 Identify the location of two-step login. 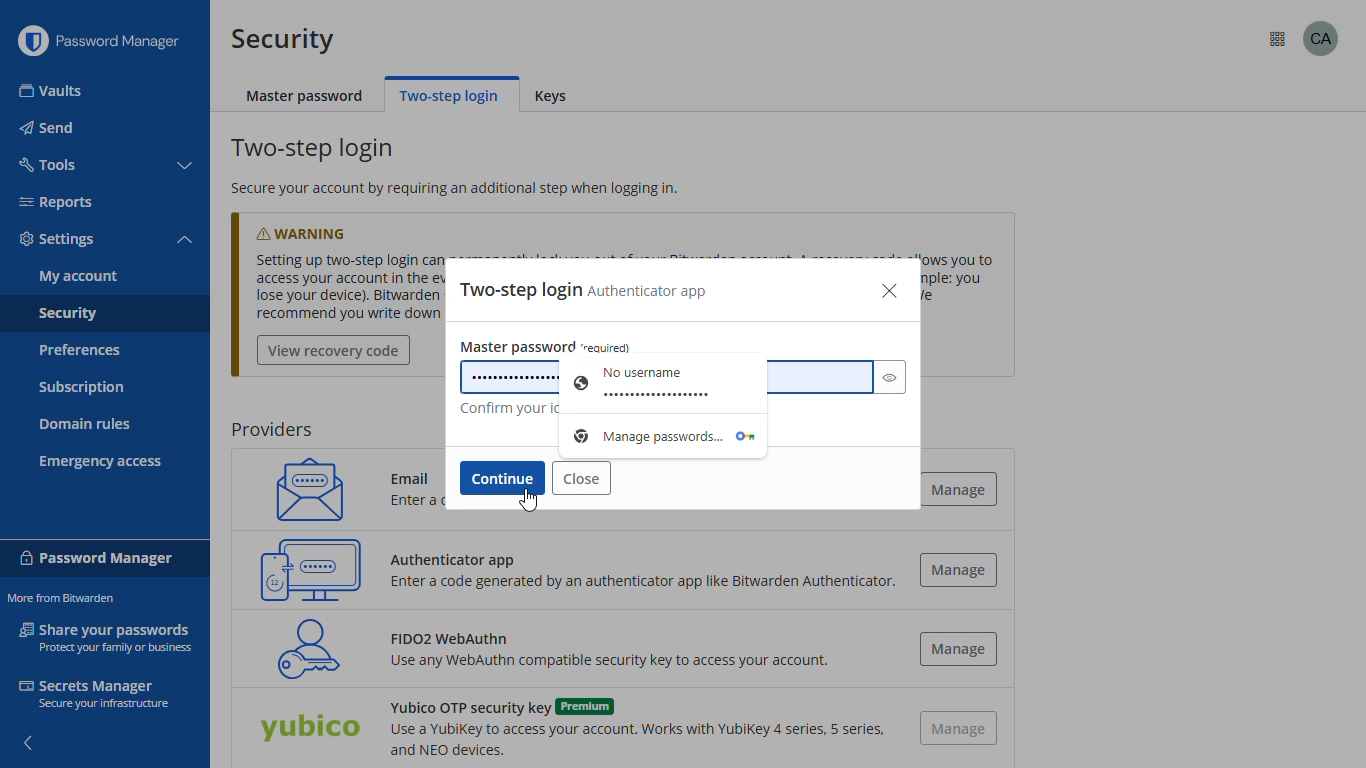
(315, 149).